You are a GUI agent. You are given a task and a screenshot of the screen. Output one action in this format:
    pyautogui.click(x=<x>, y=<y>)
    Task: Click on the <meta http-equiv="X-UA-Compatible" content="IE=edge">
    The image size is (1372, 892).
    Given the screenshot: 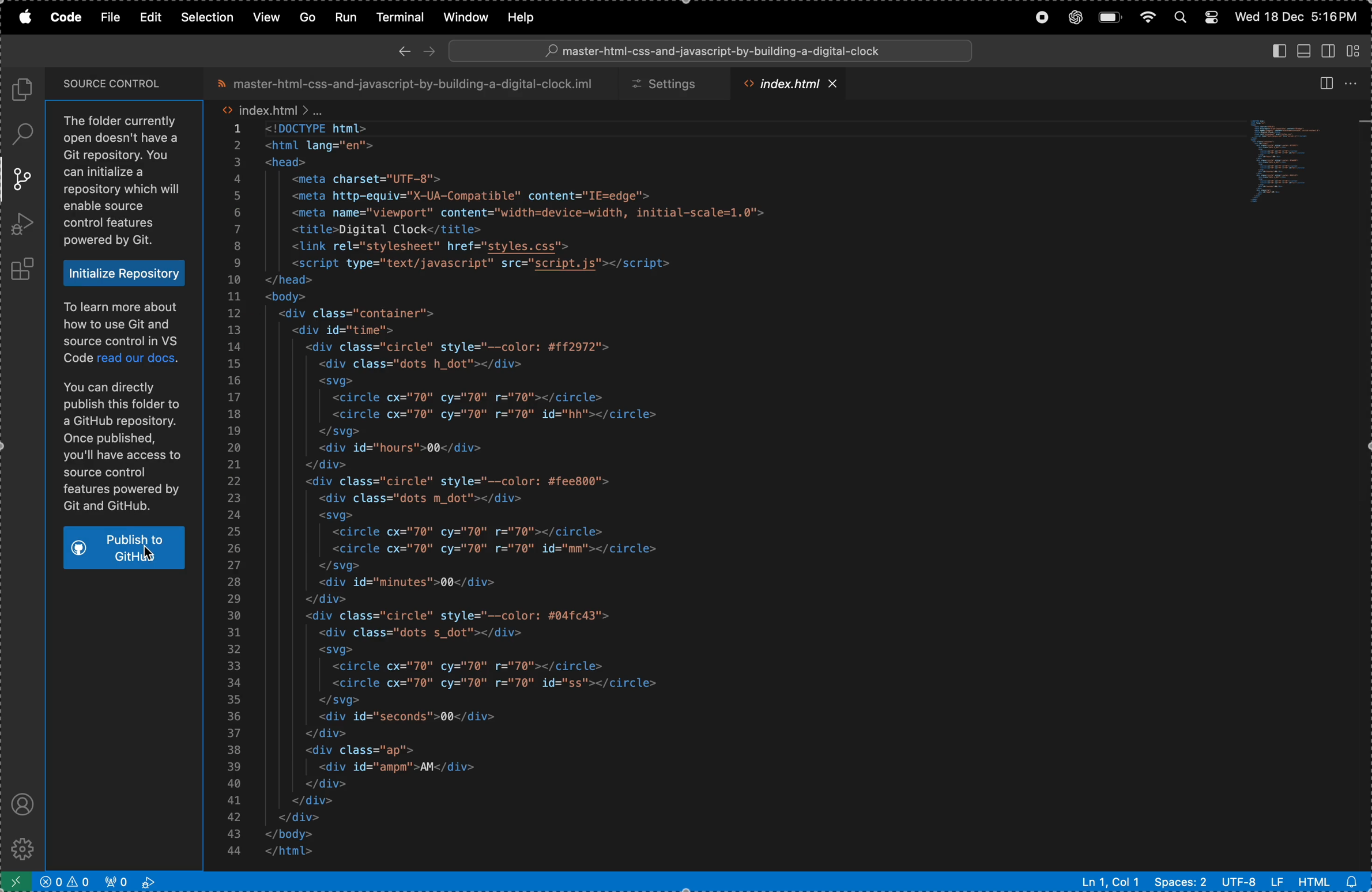 What is the action you would take?
    pyautogui.click(x=477, y=197)
    